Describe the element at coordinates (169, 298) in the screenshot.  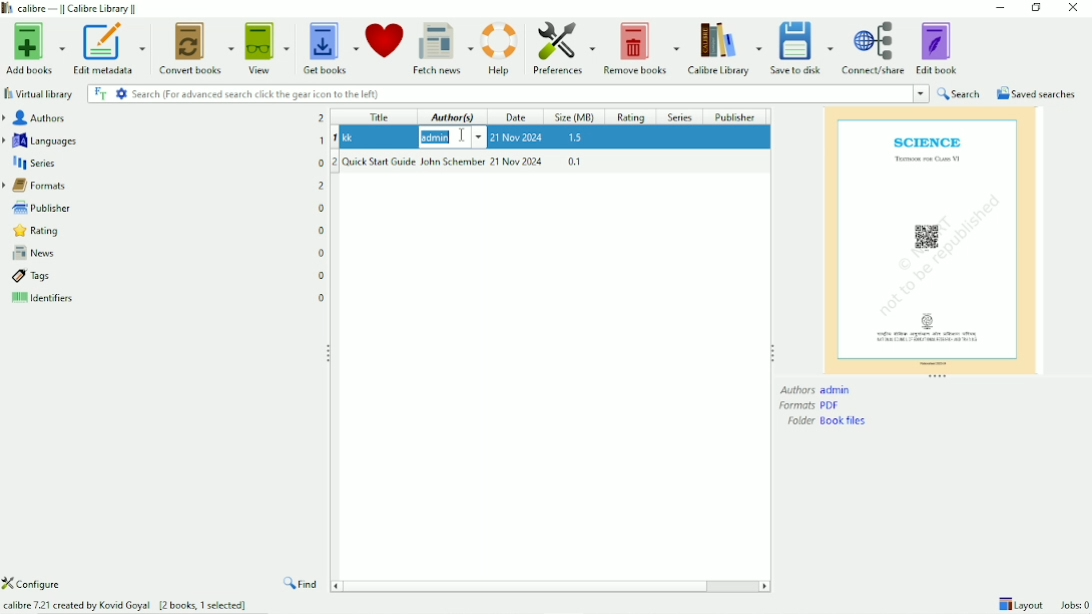
I see `Identifiers` at that location.